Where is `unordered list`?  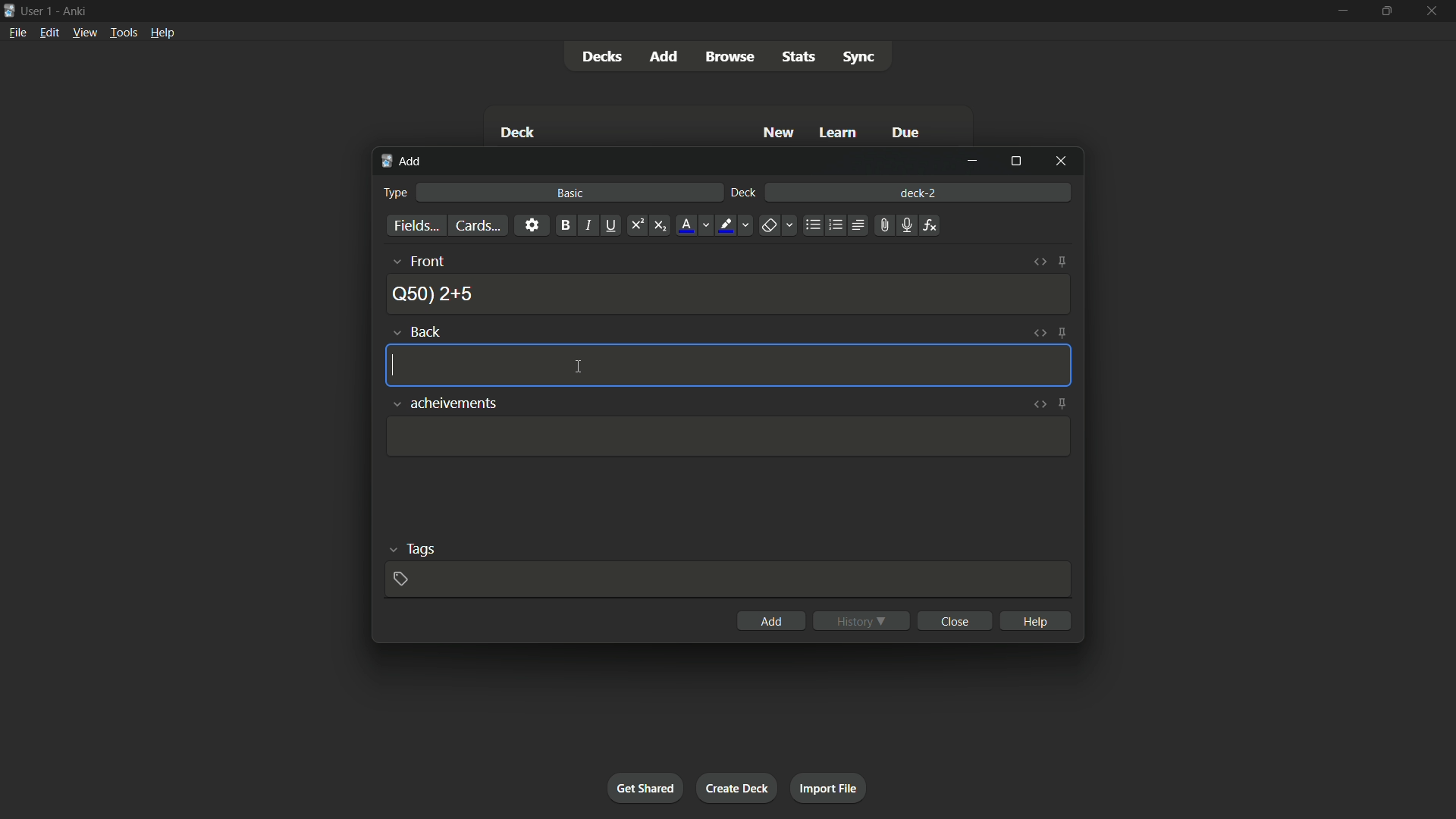 unordered list is located at coordinates (813, 226).